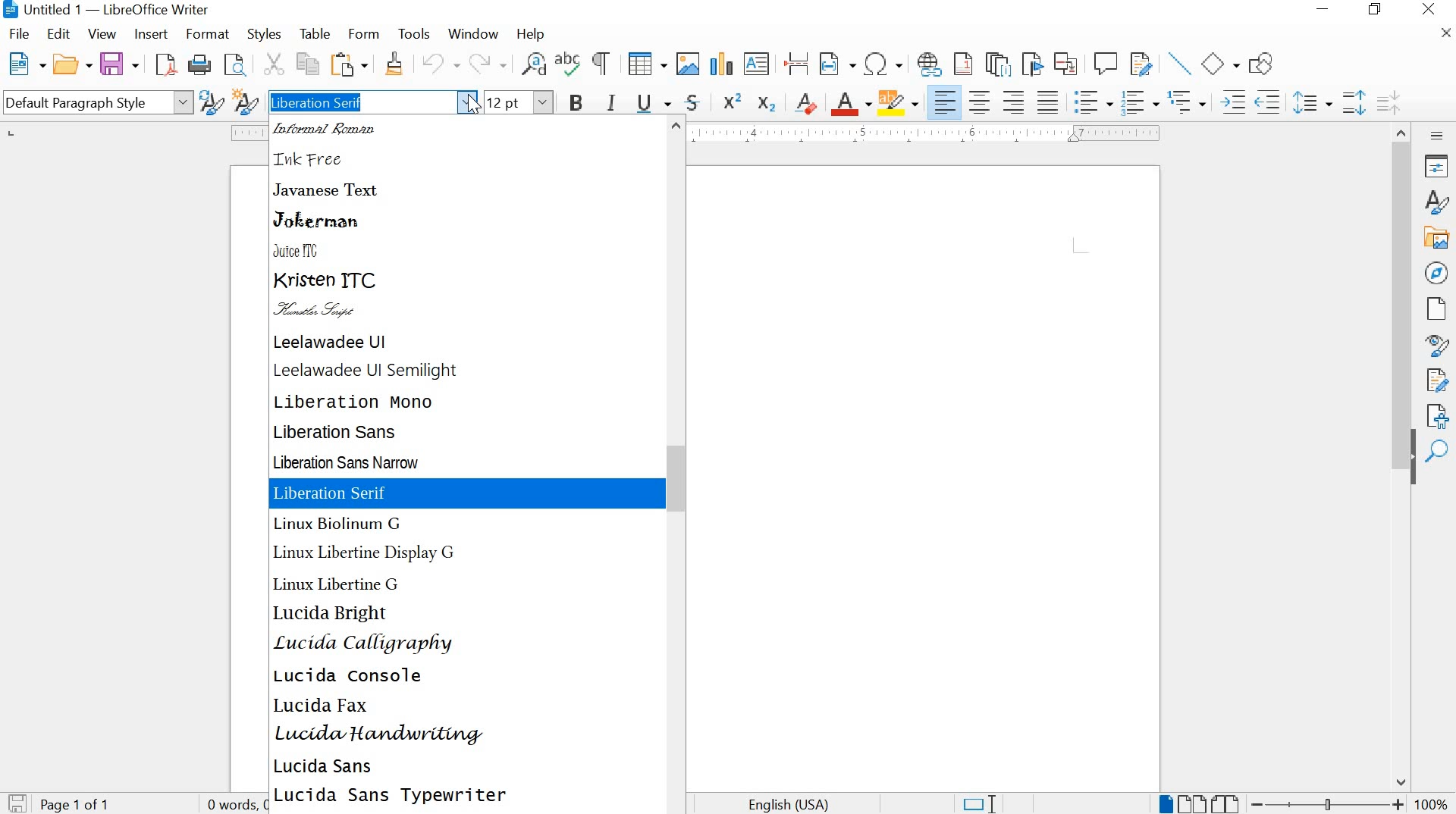 This screenshot has height=814, width=1456. What do you see at coordinates (1438, 167) in the screenshot?
I see `PROPERTIES` at bounding box center [1438, 167].